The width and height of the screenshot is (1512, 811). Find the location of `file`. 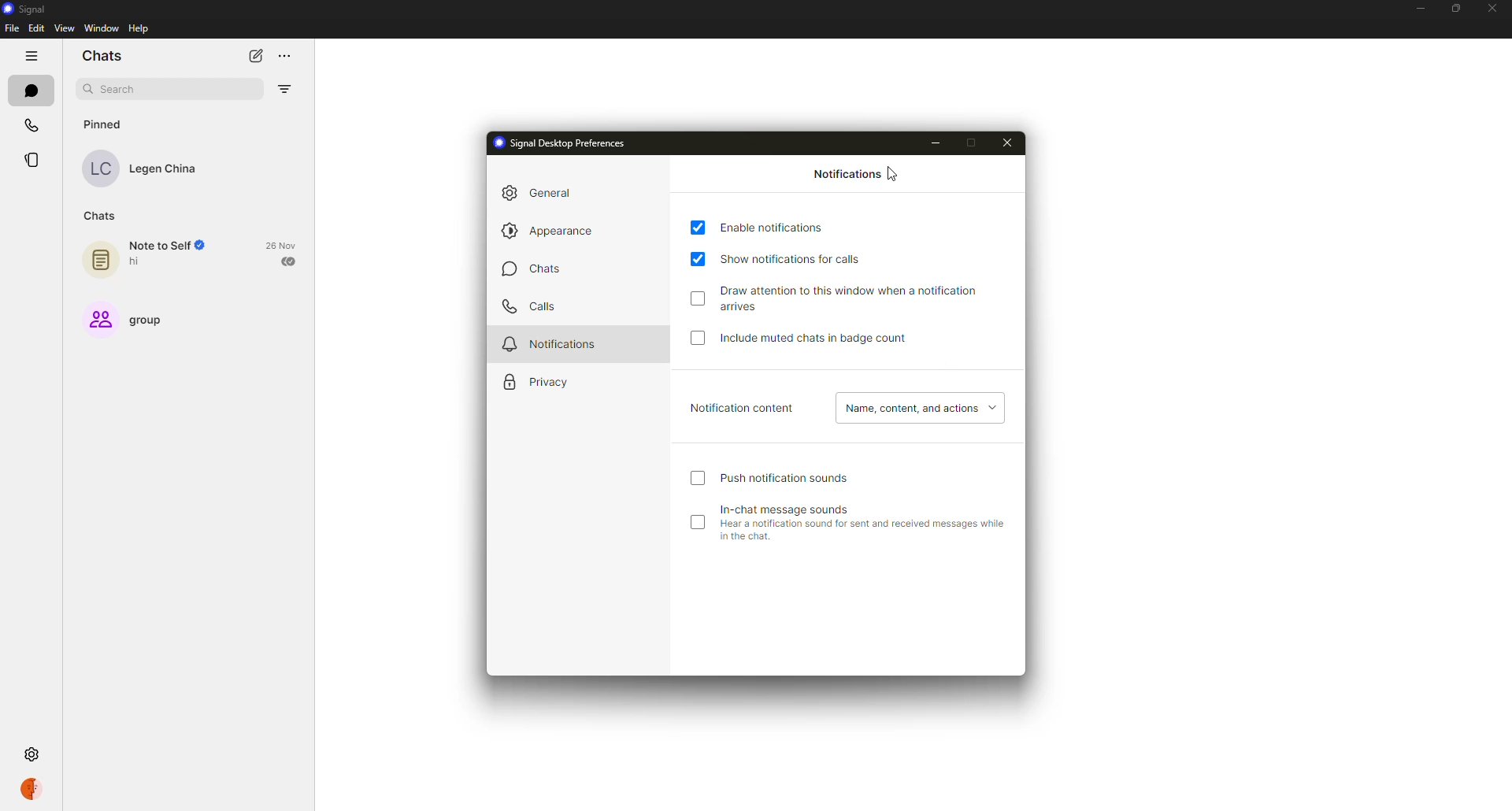

file is located at coordinates (12, 29).